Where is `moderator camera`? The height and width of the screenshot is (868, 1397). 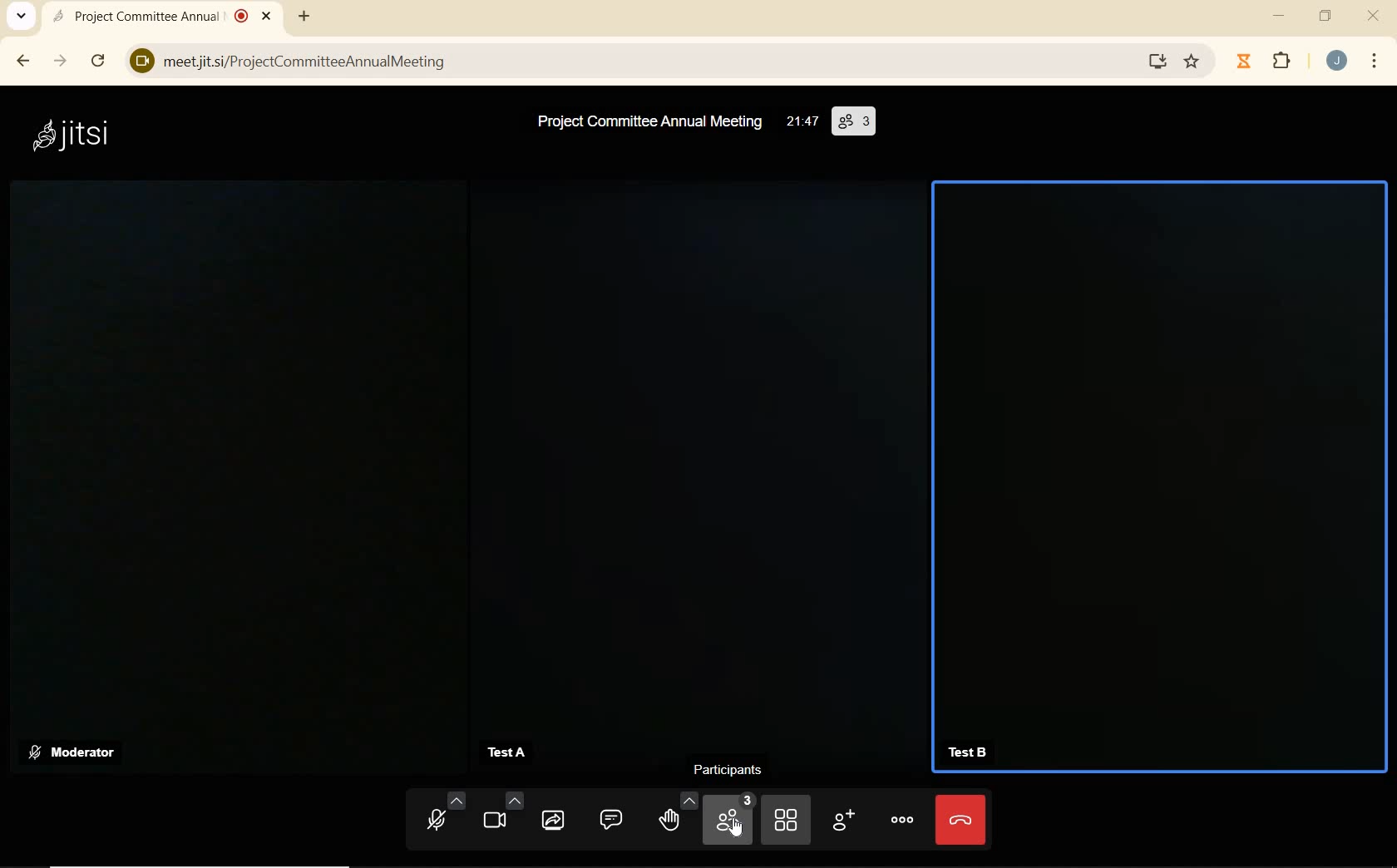 moderator camera is located at coordinates (238, 449).